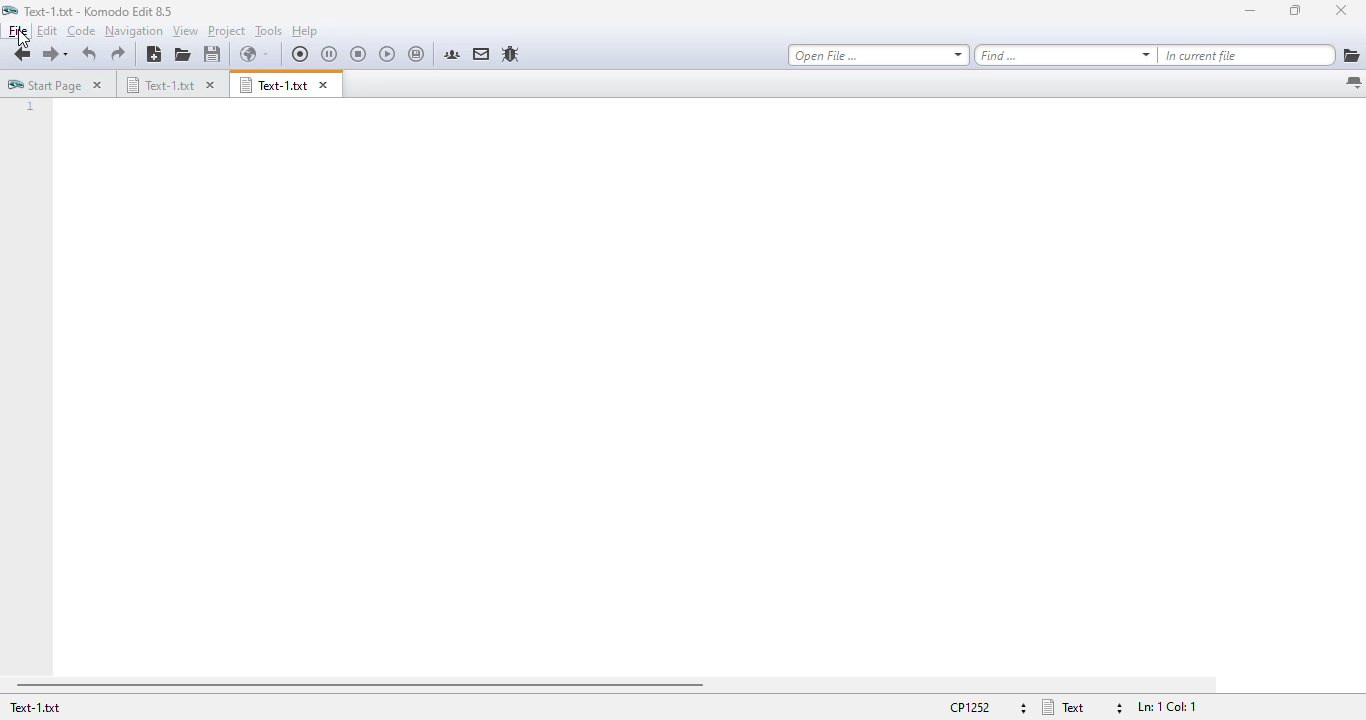  Describe the element at coordinates (388, 55) in the screenshot. I see `play last macro` at that location.